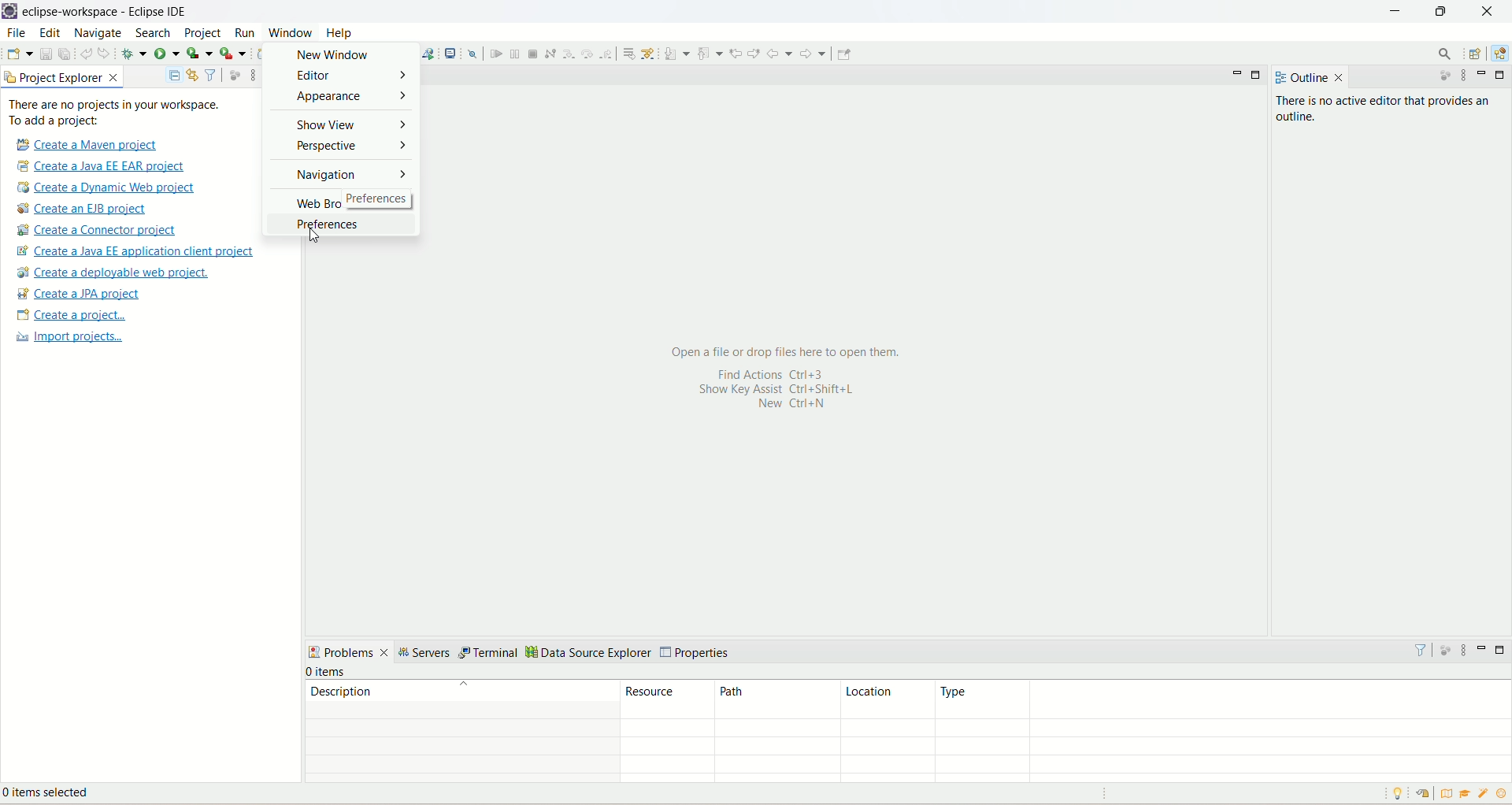 Image resolution: width=1512 pixels, height=805 pixels. I want to click on focus on active task, so click(235, 74).